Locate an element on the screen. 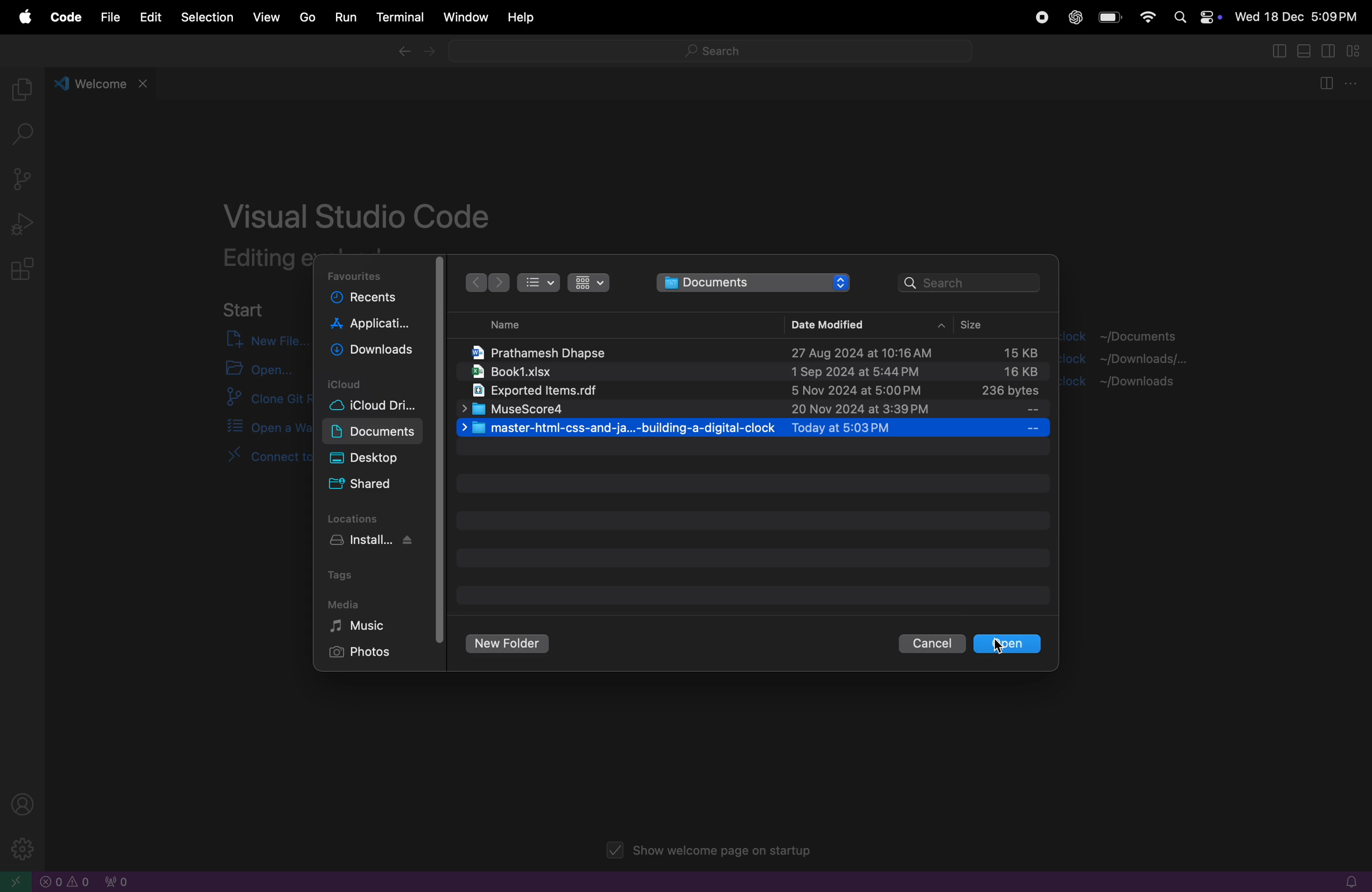  view is located at coordinates (267, 16).